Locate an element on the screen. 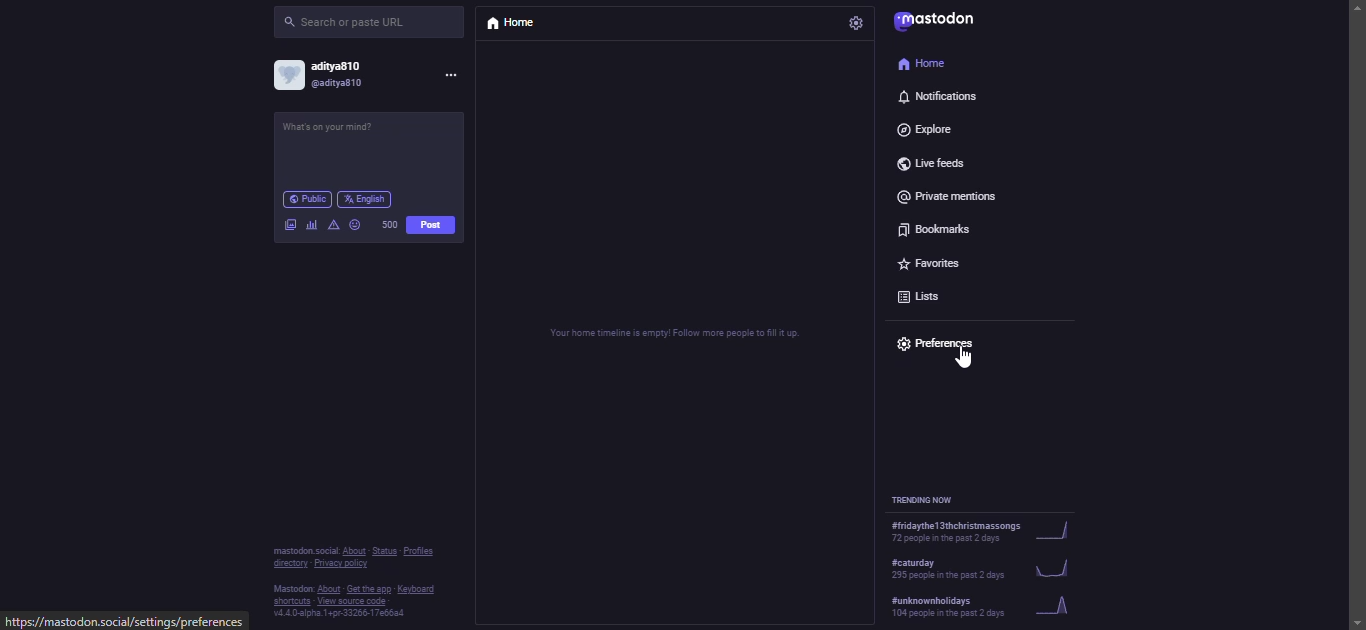 The width and height of the screenshot is (1366, 630). search is located at coordinates (351, 22).